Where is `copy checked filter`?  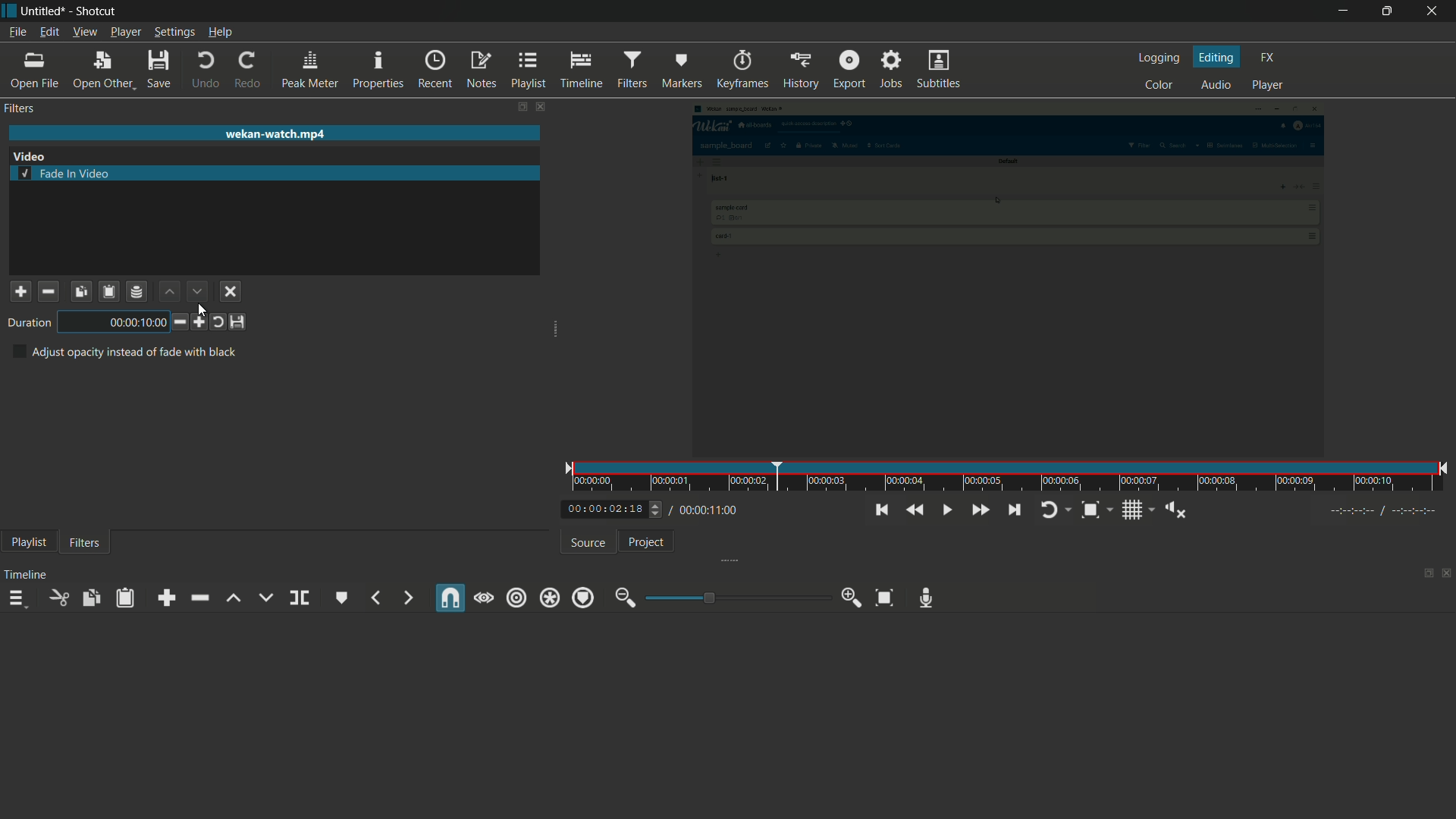
copy checked filter is located at coordinates (80, 290).